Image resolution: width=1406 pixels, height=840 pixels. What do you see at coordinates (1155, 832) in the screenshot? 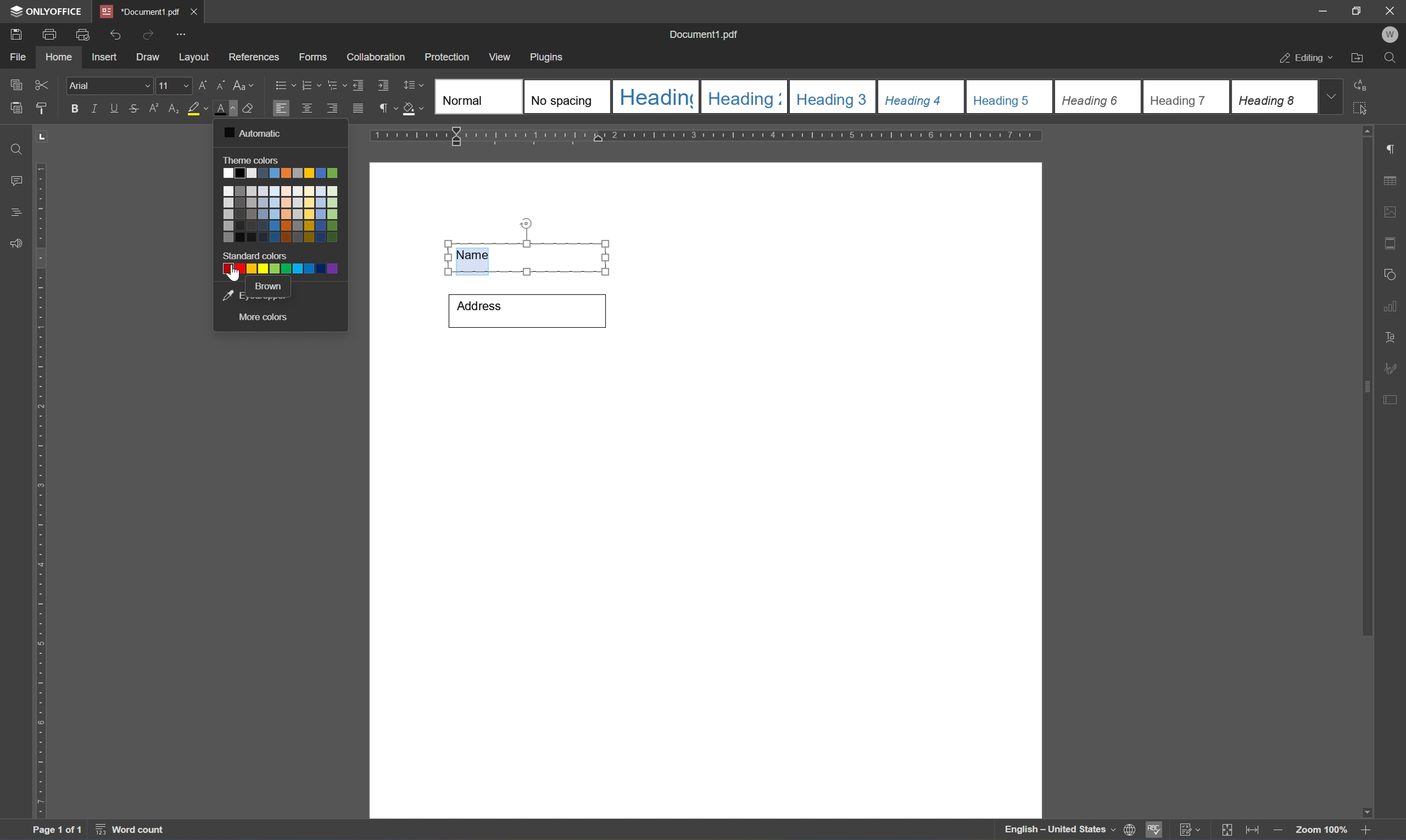
I see `spell checking` at bounding box center [1155, 832].